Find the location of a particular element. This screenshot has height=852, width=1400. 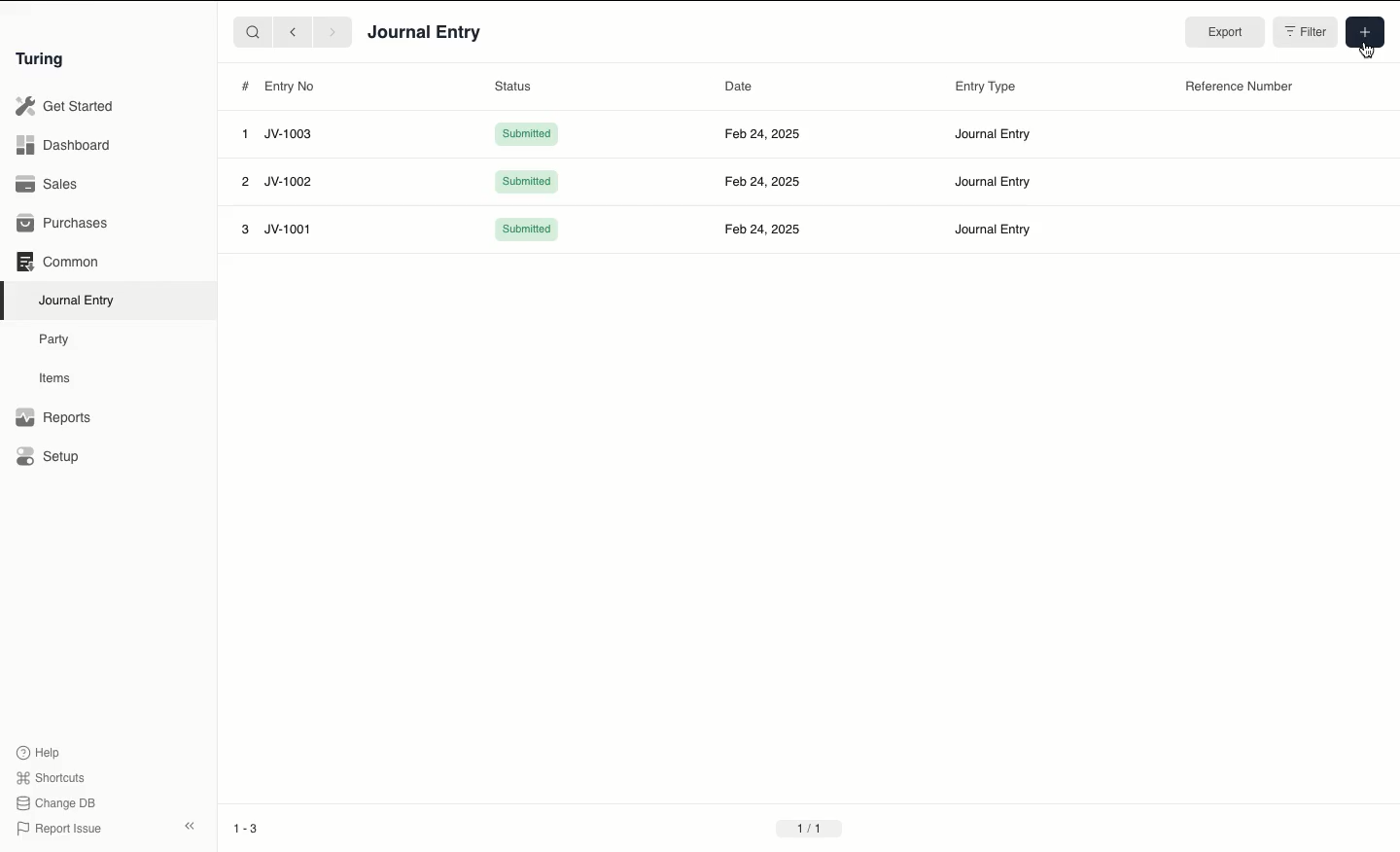

Journal Entry is located at coordinates (992, 229).